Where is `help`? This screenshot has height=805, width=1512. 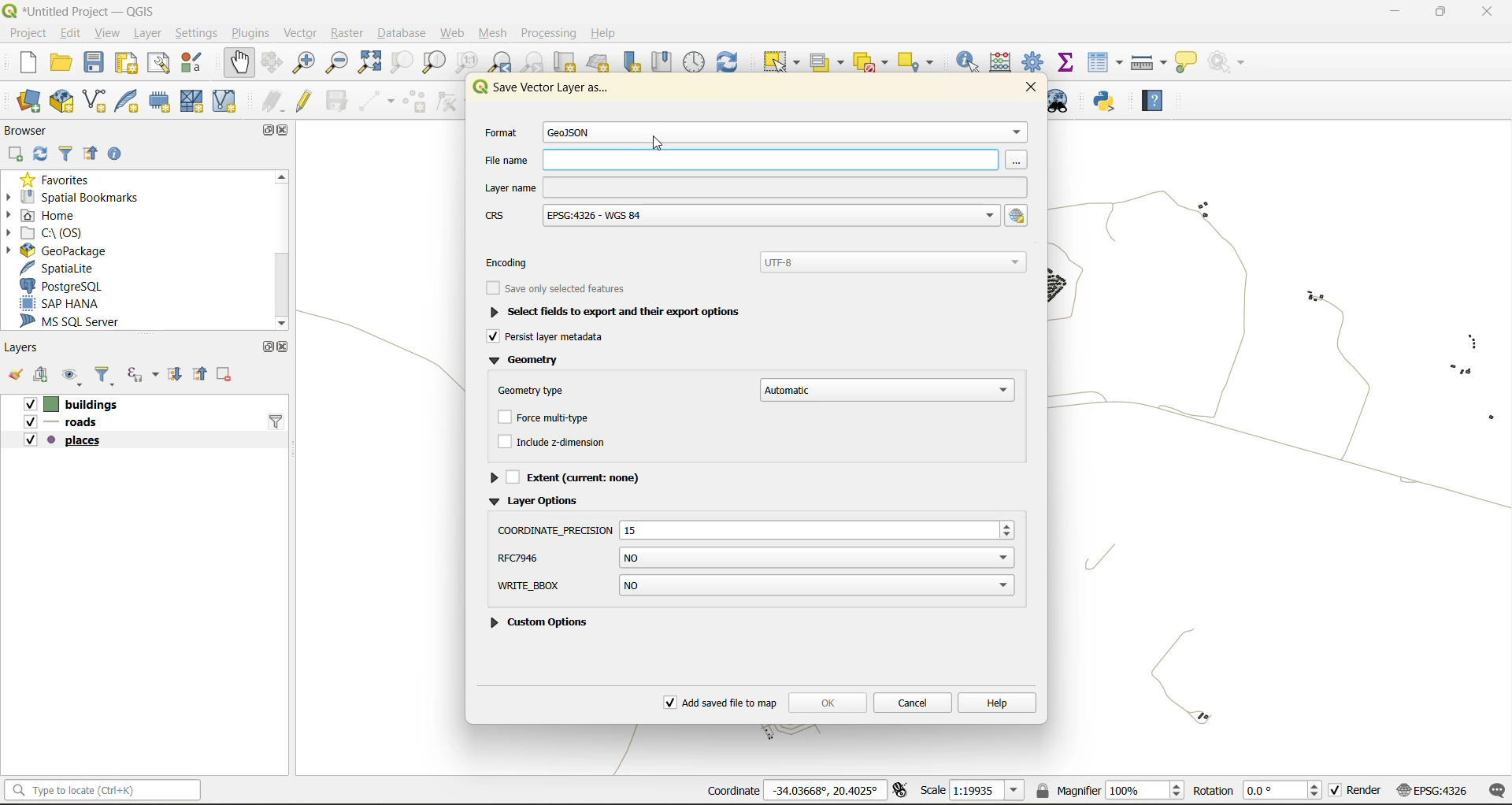
help is located at coordinates (1157, 97).